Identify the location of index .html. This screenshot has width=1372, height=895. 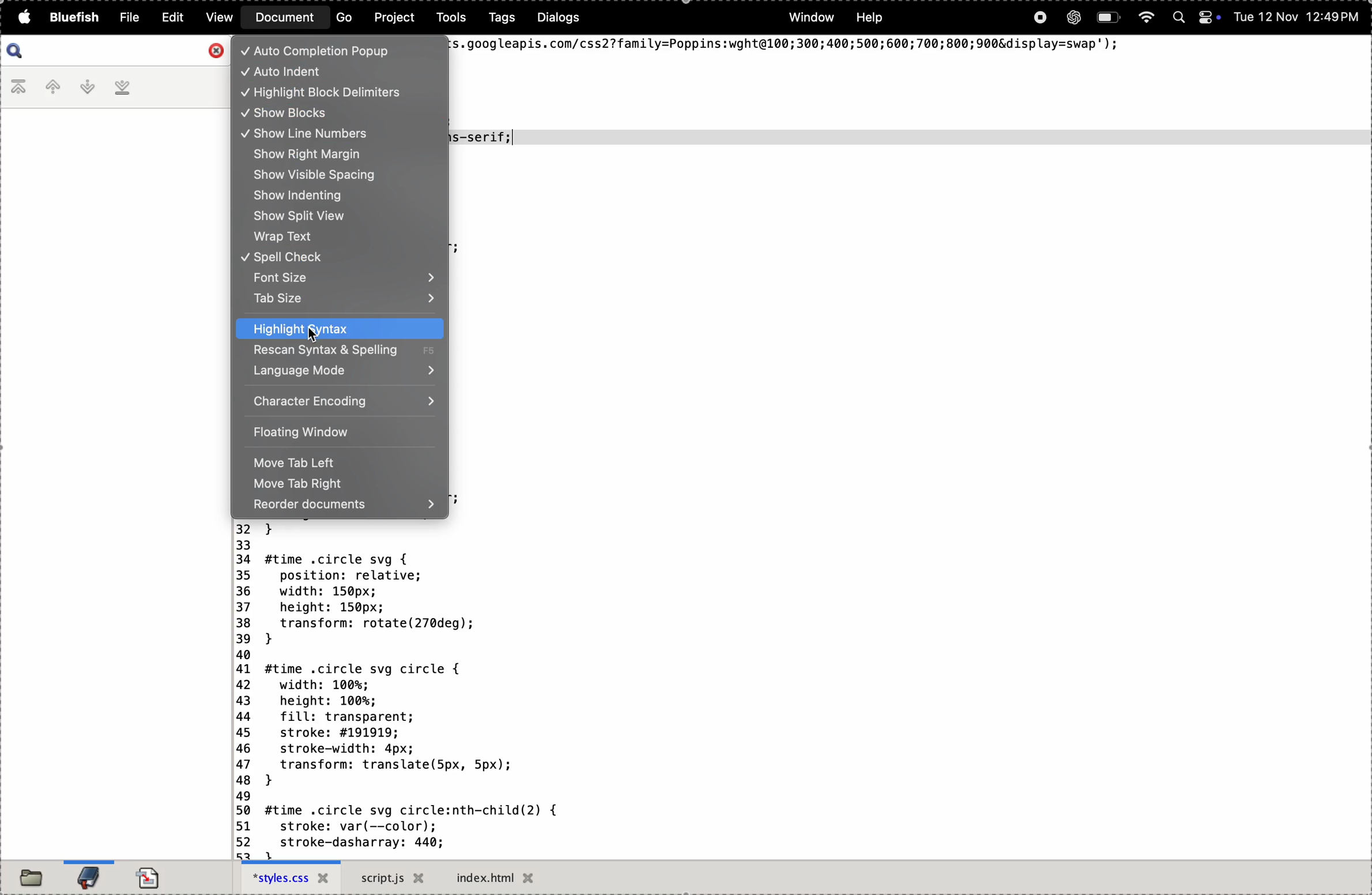
(506, 878).